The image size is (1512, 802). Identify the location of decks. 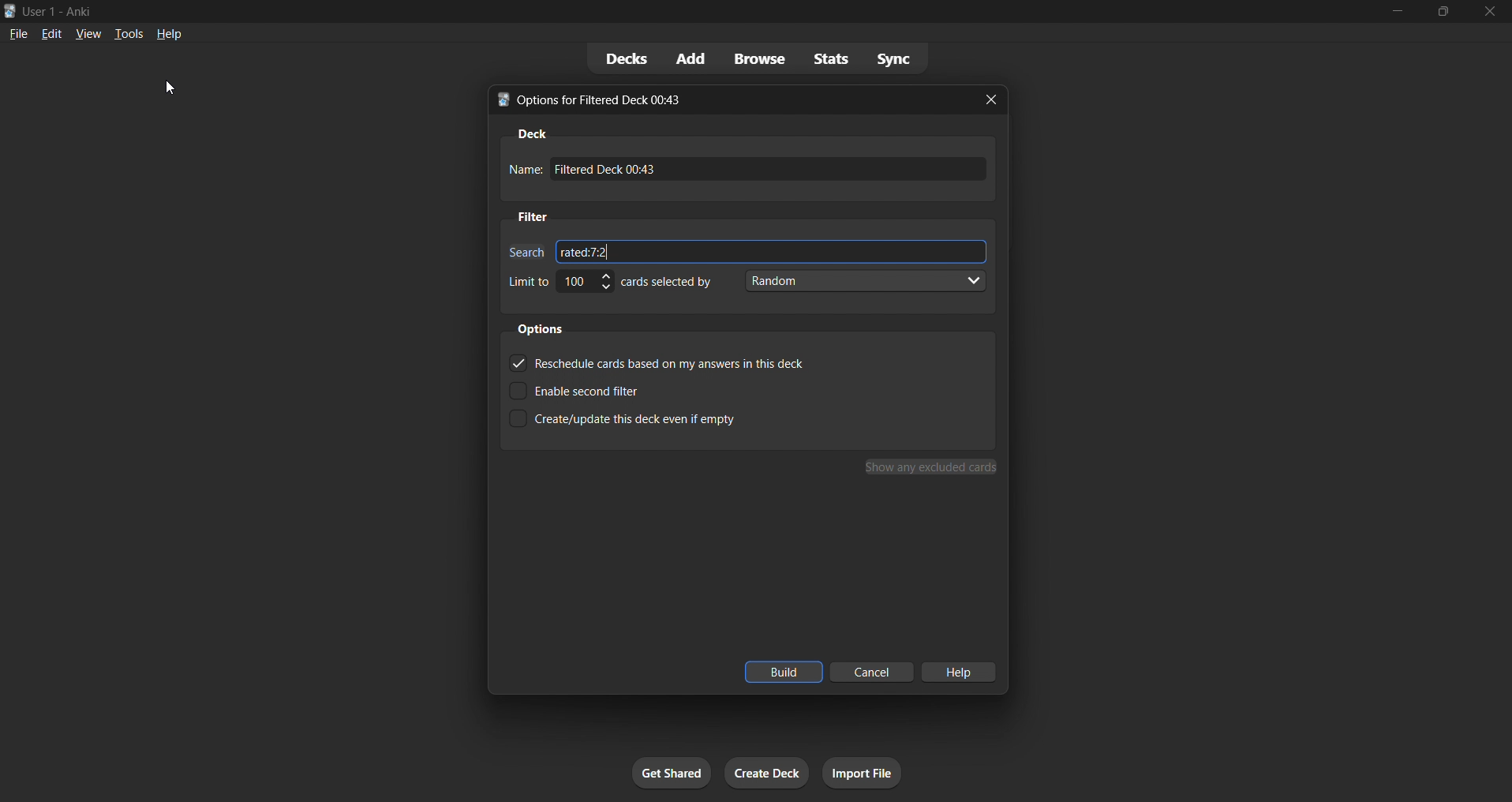
(612, 57).